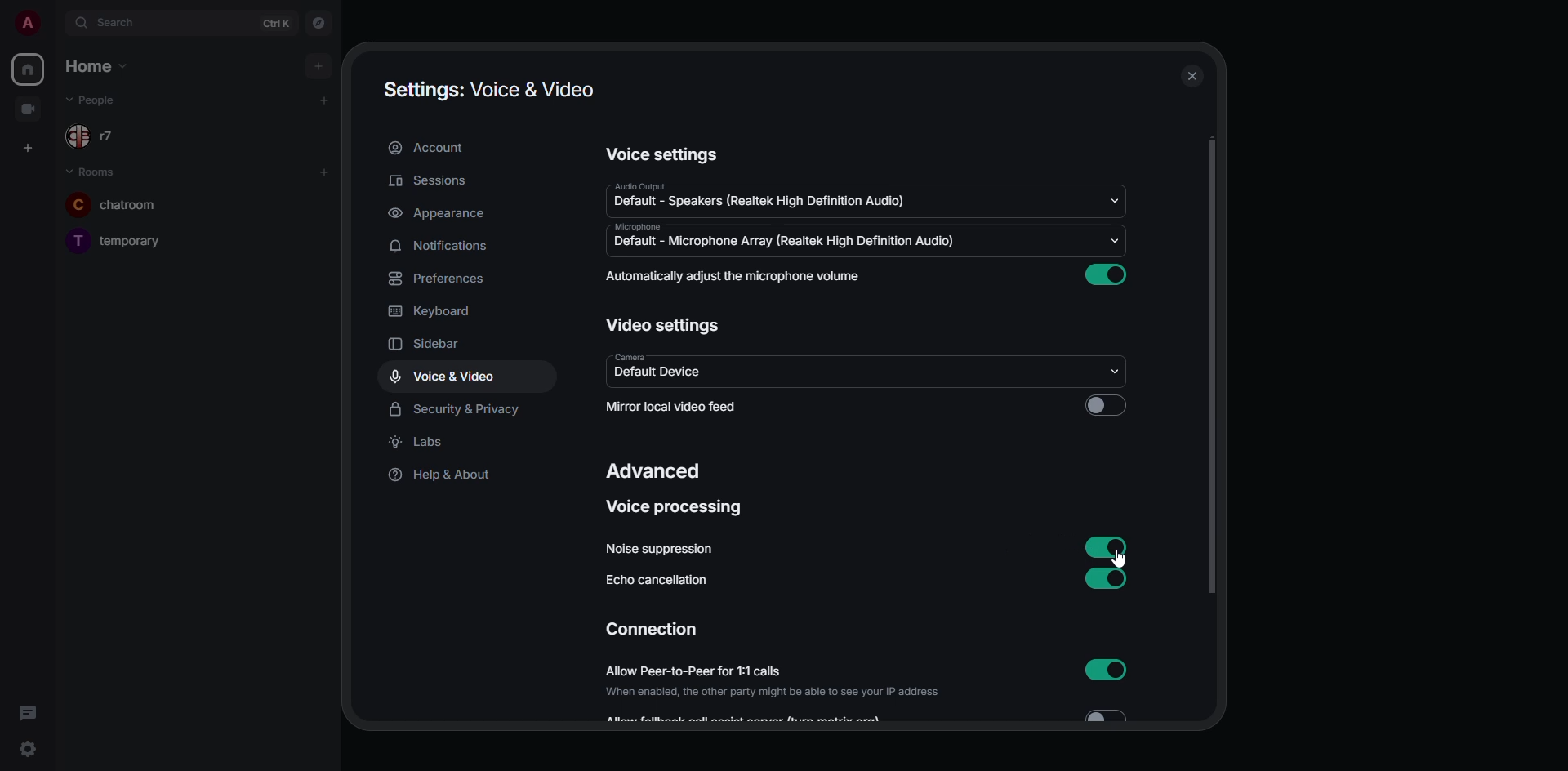 The width and height of the screenshot is (1568, 771). Describe the element at coordinates (323, 172) in the screenshot. I see `add` at that location.